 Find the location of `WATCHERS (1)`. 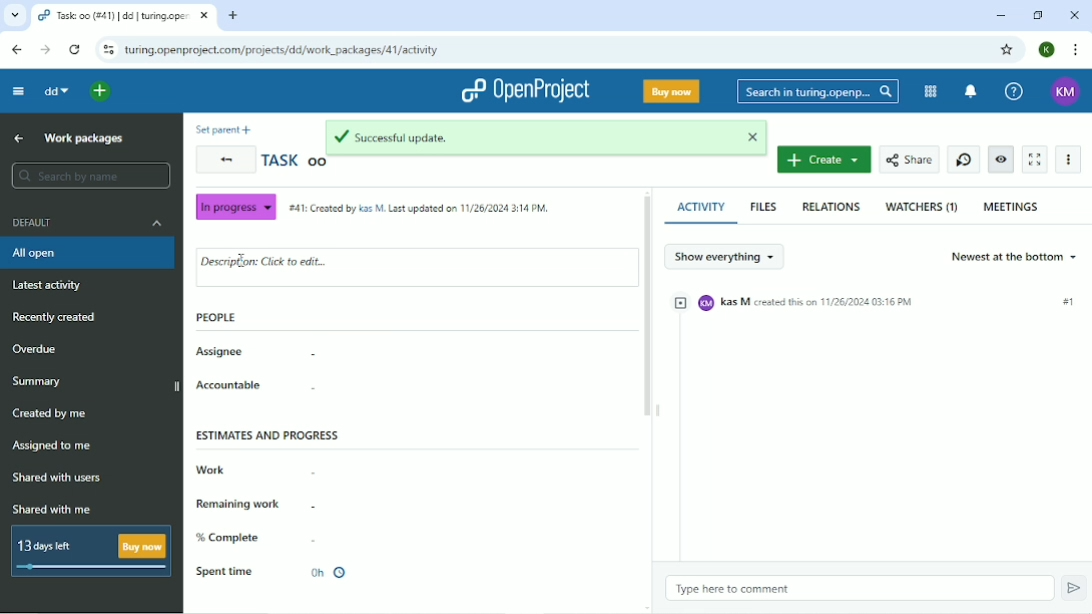

WATCHERS (1) is located at coordinates (921, 207).